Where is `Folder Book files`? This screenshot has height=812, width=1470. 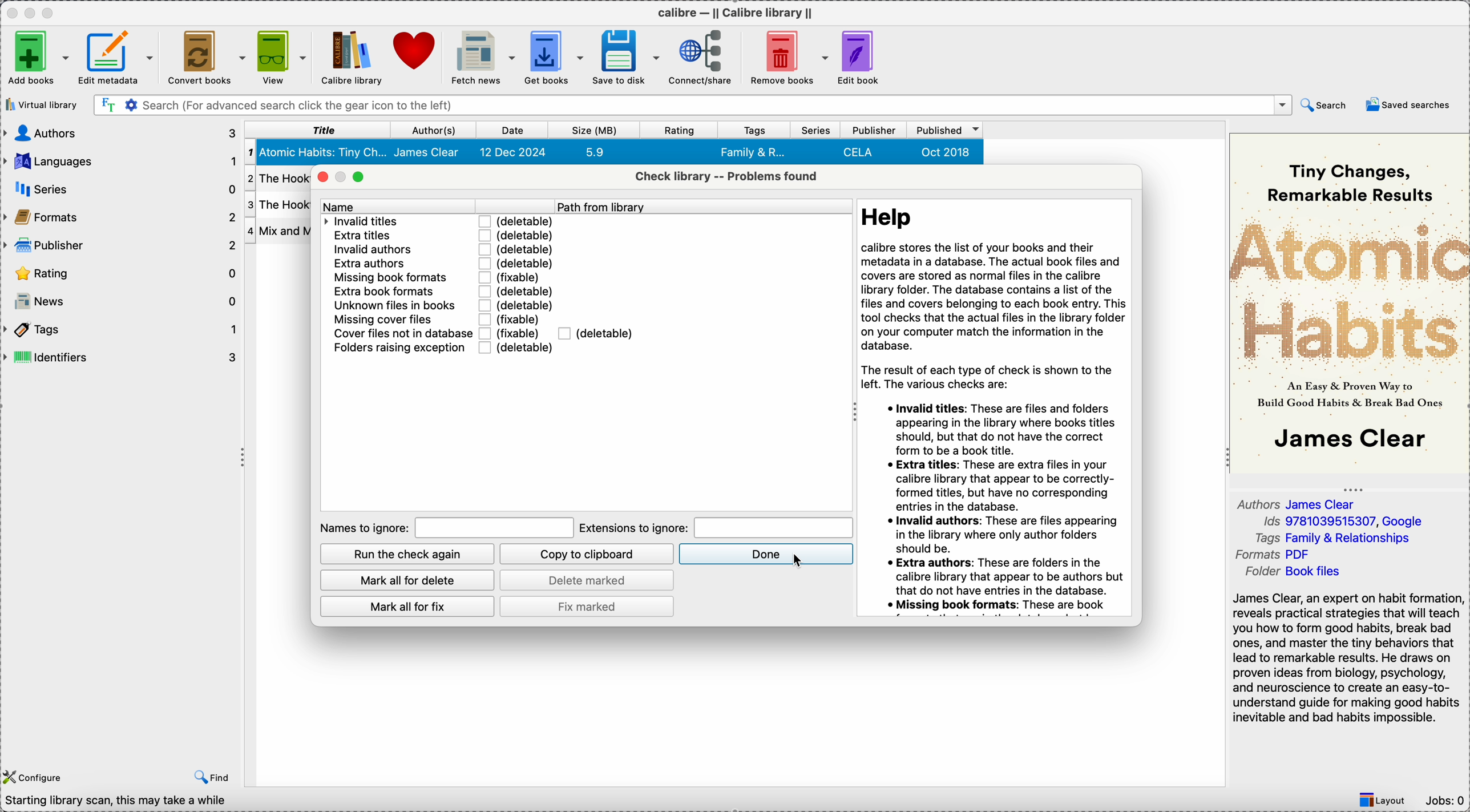
Folder Book files is located at coordinates (1295, 573).